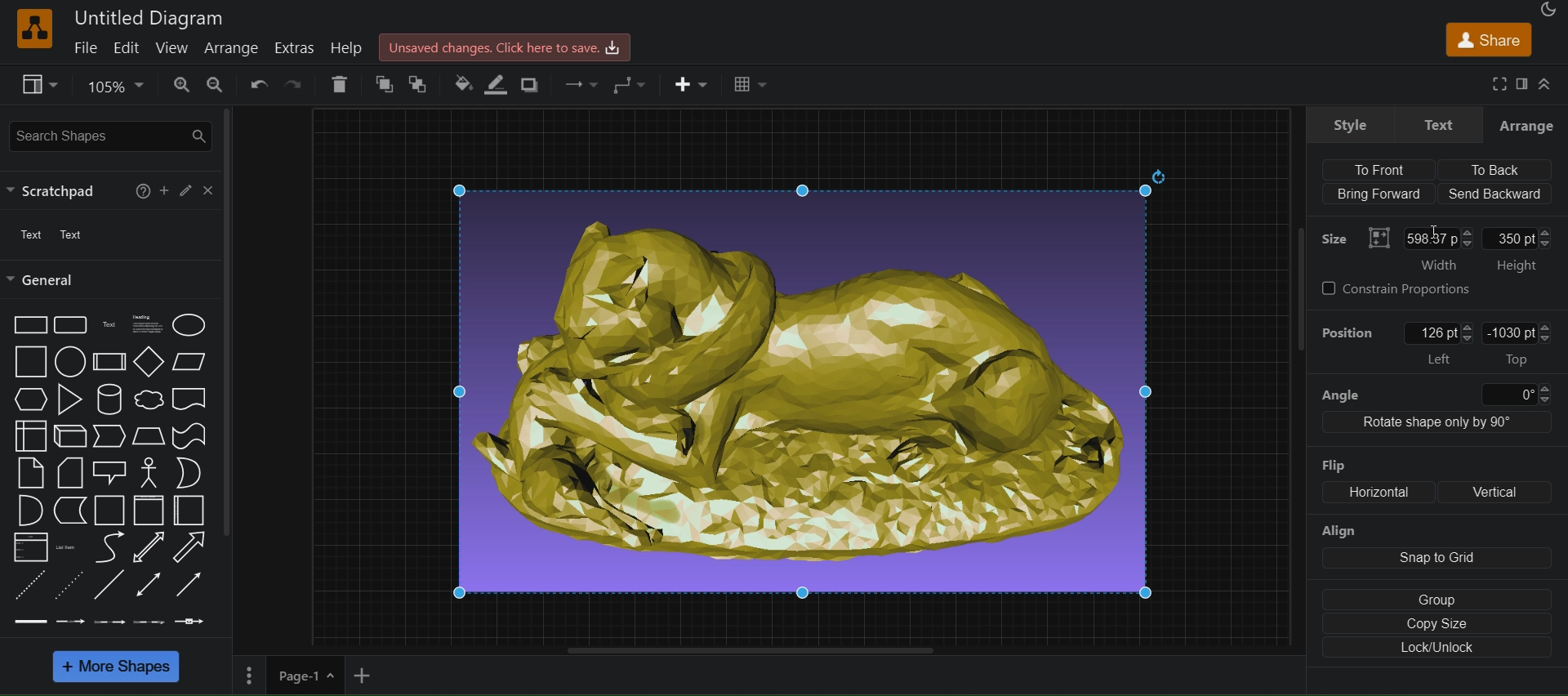 This screenshot has width=1568, height=696. What do you see at coordinates (1548, 8) in the screenshot?
I see `appearance` at bounding box center [1548, 8].